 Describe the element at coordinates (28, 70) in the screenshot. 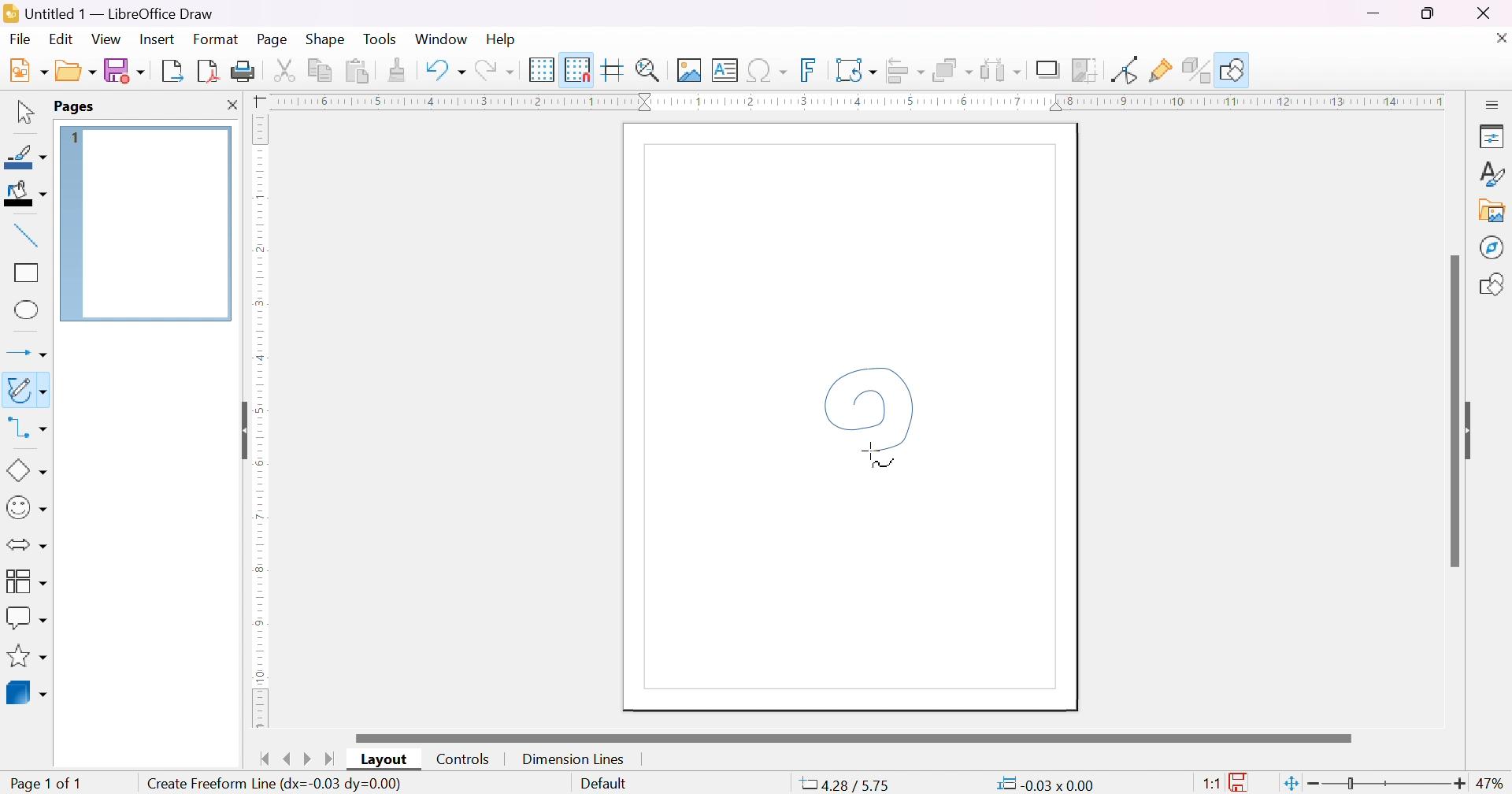

I see `new` at that location.